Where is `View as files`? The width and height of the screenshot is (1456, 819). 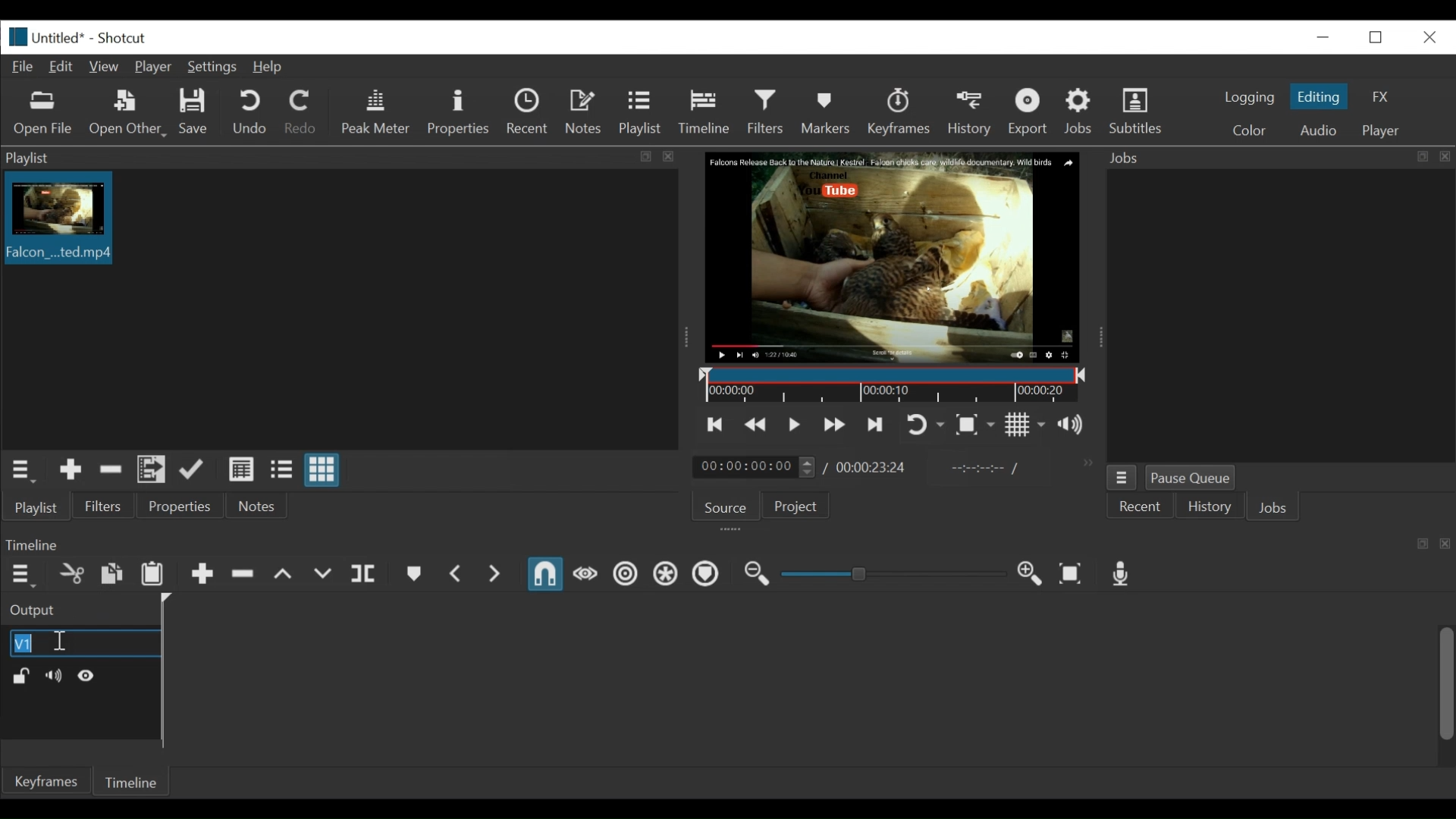 View as files is located at coordinates (281, 471).